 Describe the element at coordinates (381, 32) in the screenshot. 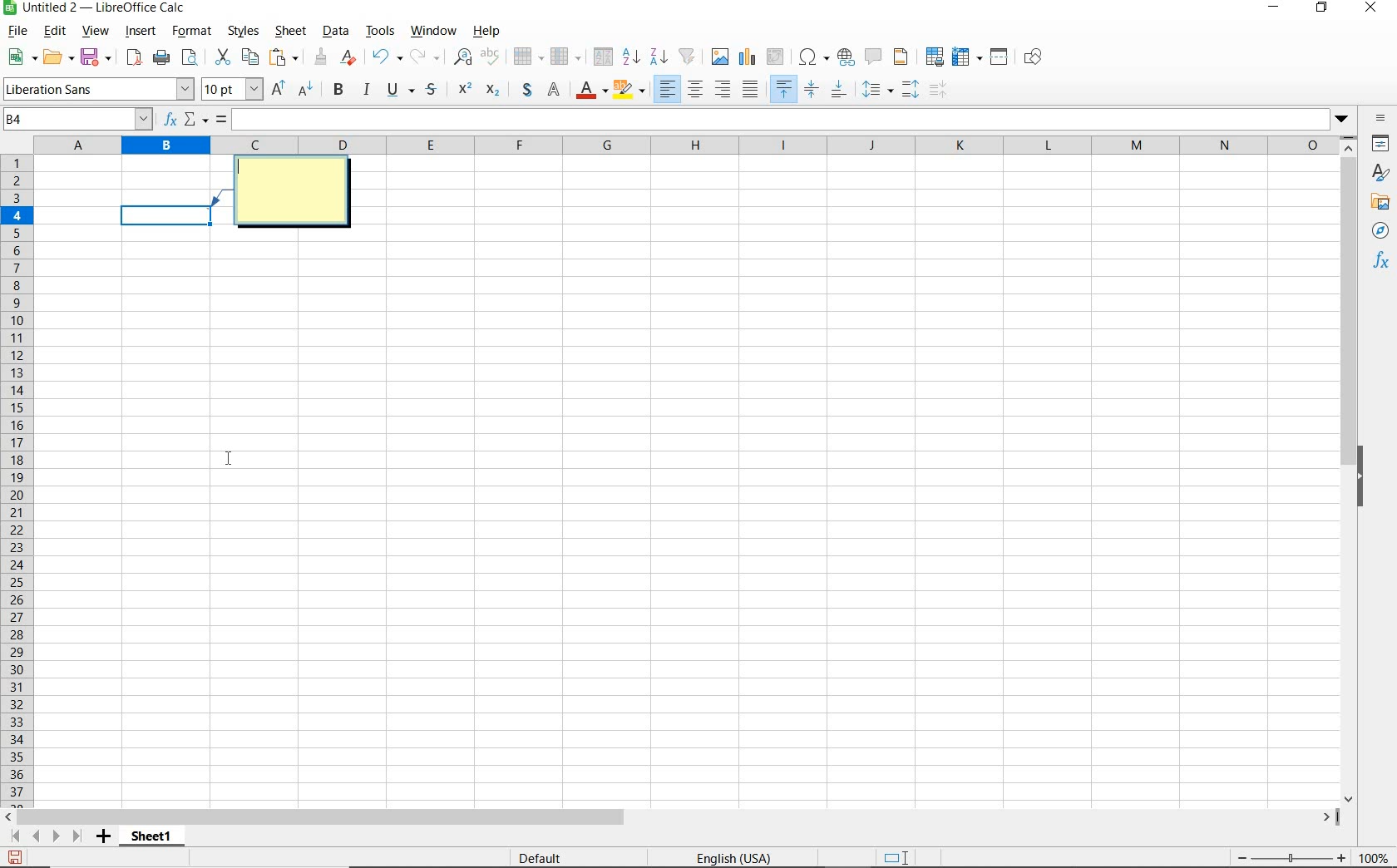

I see `tools` at that location.